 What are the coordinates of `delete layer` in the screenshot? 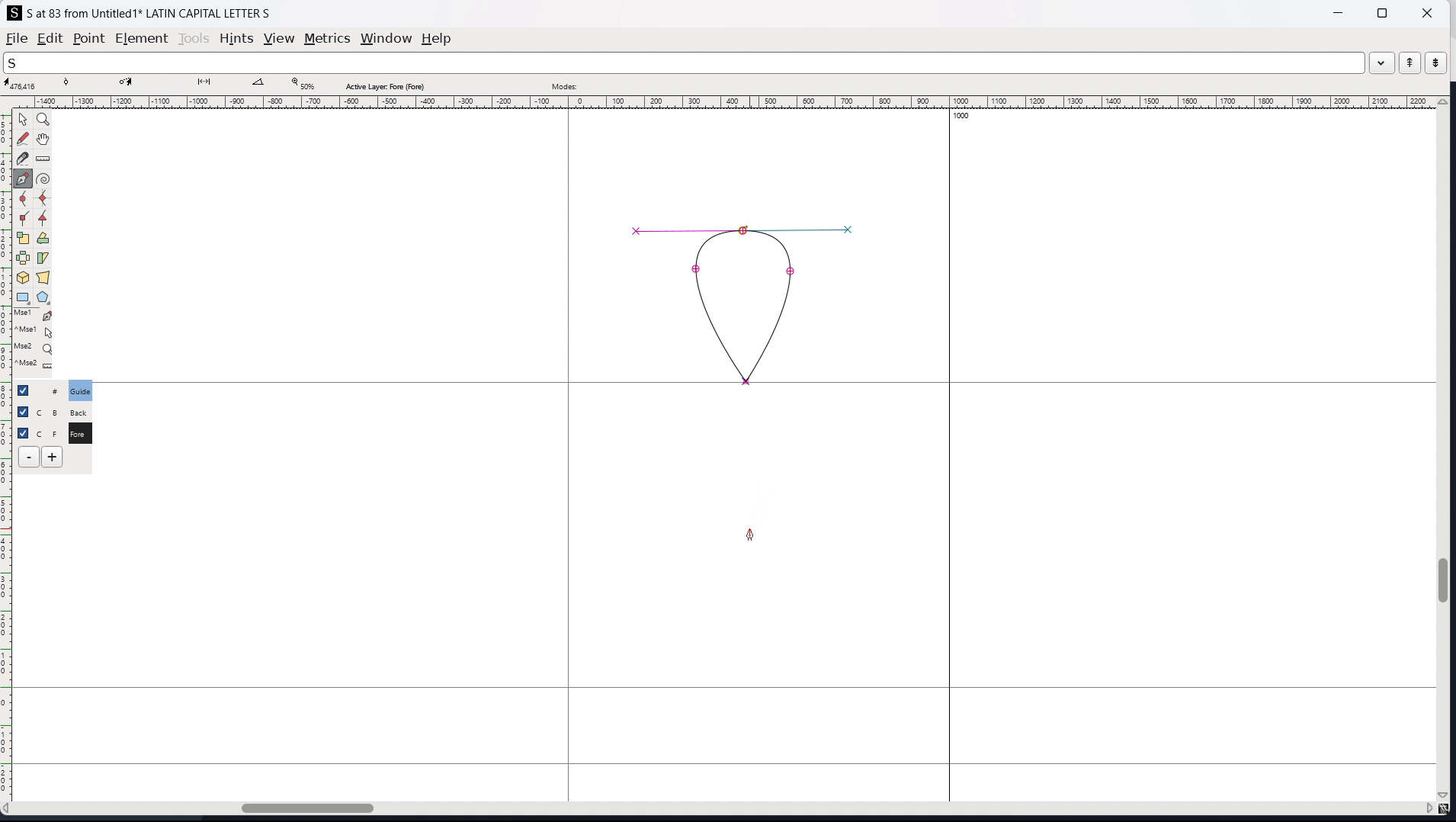 It's located at (29, 458).